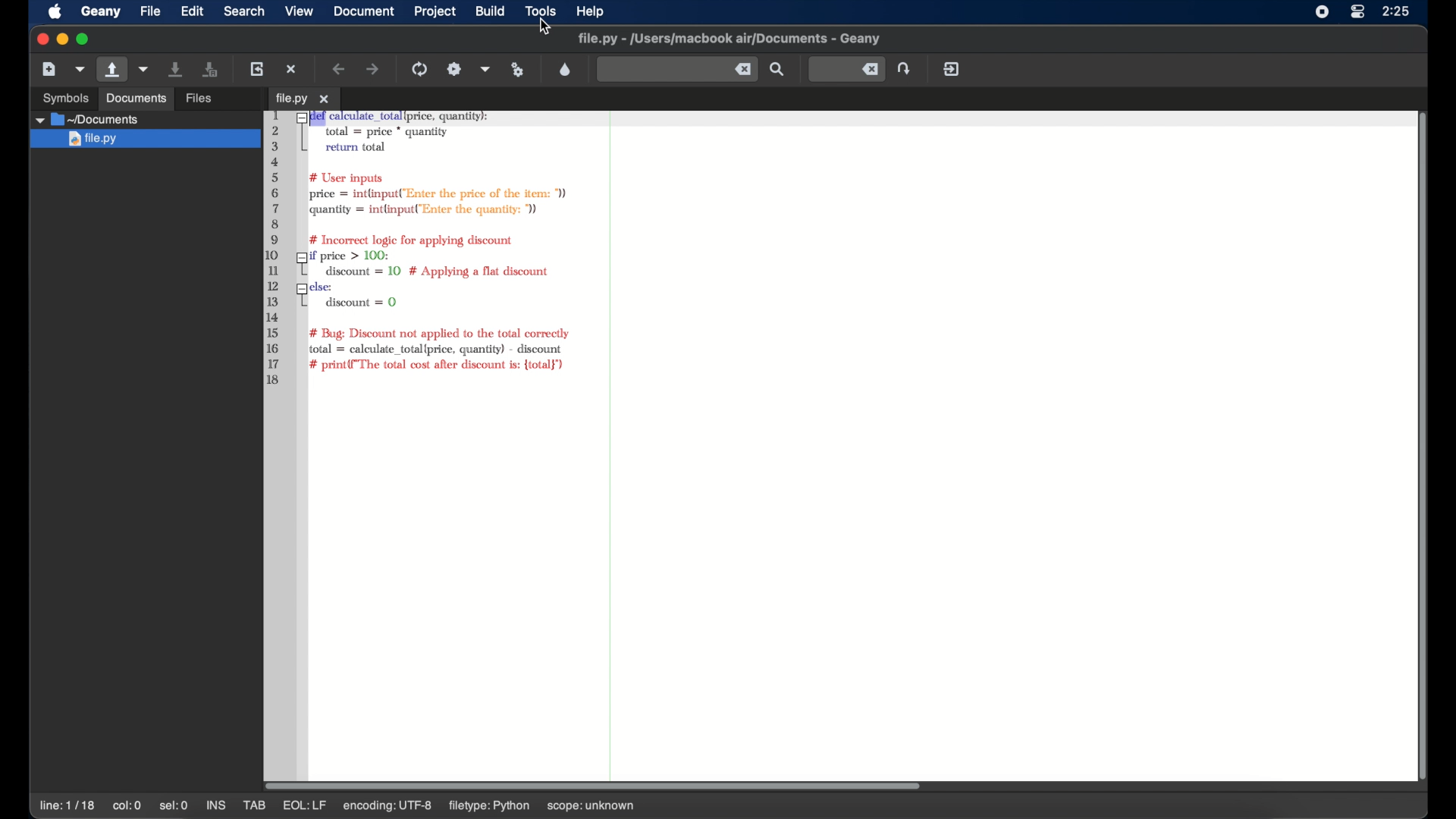  I want to click on file, so click(150, 11).